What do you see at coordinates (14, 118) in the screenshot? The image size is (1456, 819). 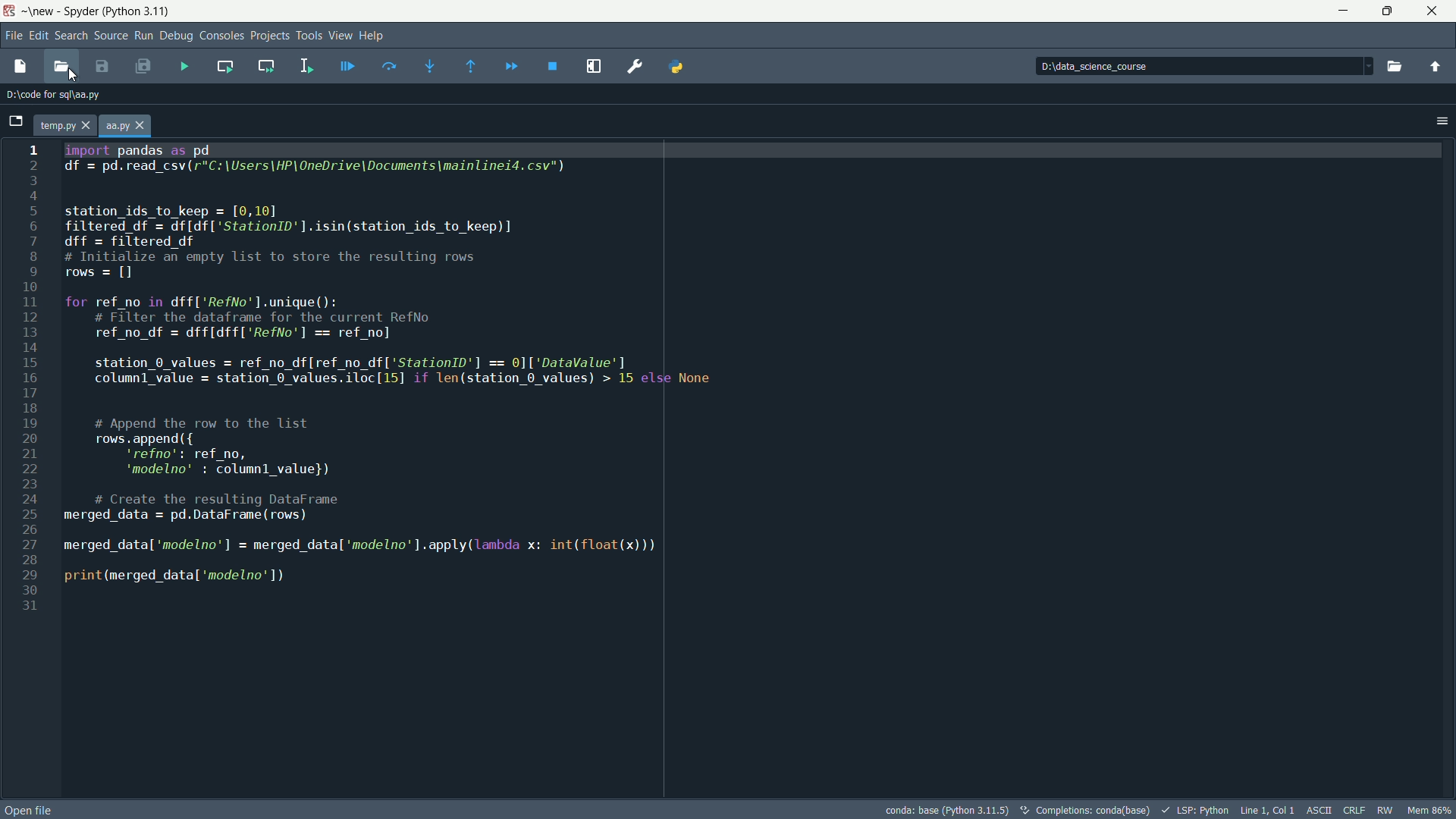 I see `browse tabs` at bounding box center [14, 118].